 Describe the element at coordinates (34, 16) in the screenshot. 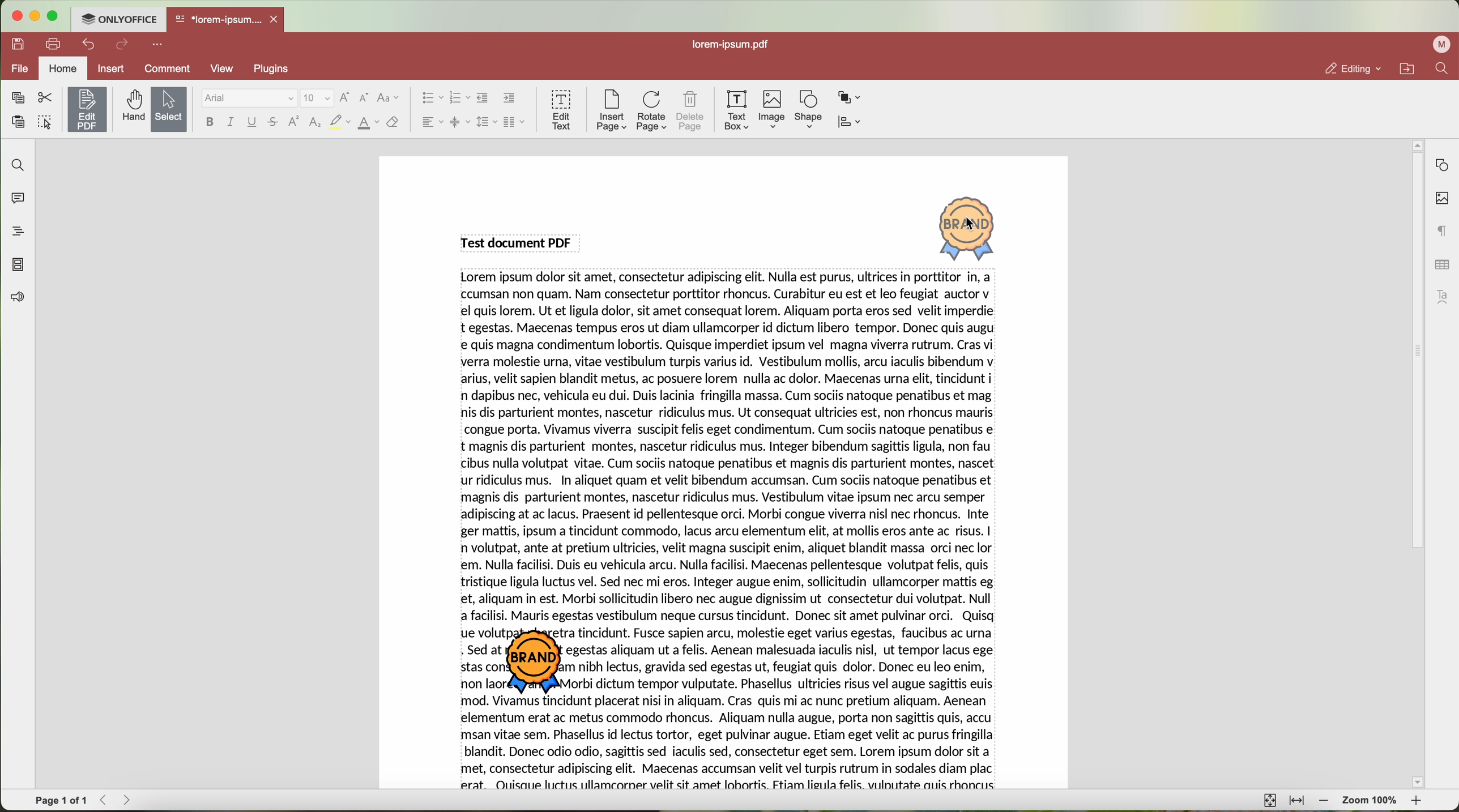

I see `minimize` at that location.